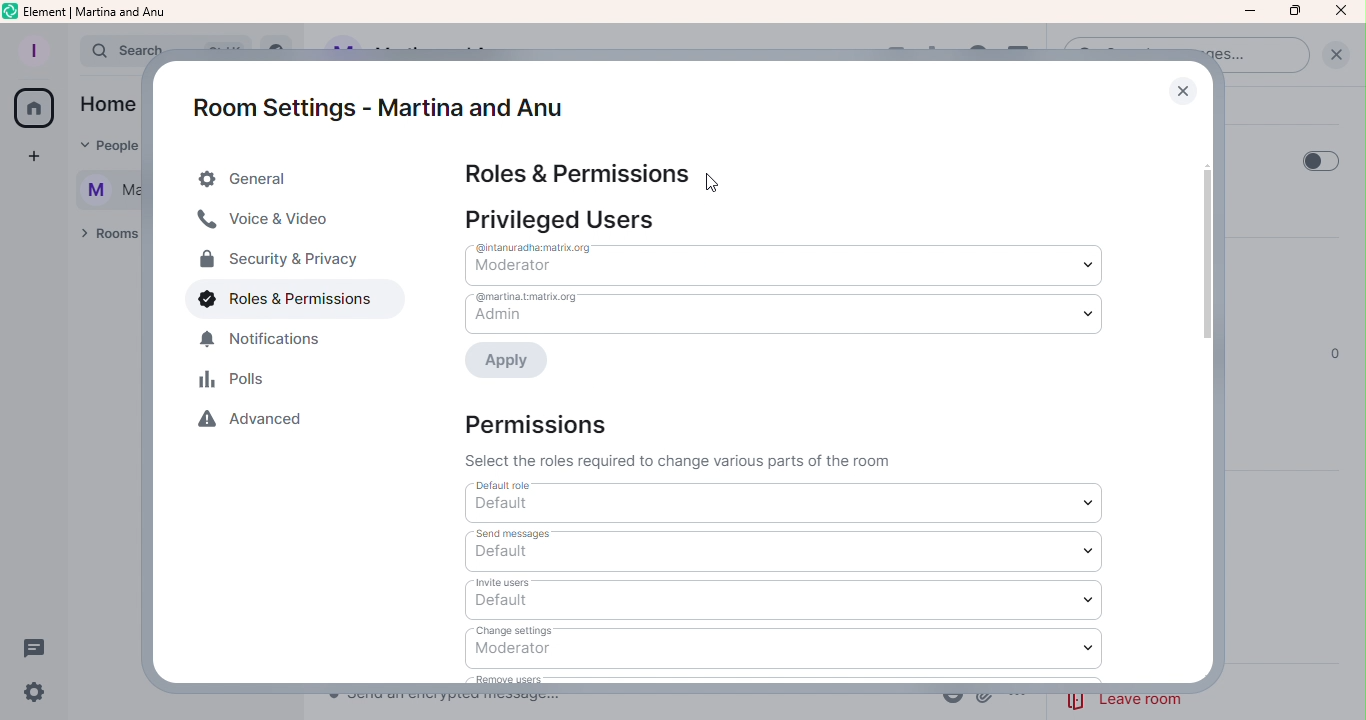 The image size is (1366, 720). What do you see at coordinates (728, 181) in the screenshot?
I see `Cursor` at bounding box center [728, 181].